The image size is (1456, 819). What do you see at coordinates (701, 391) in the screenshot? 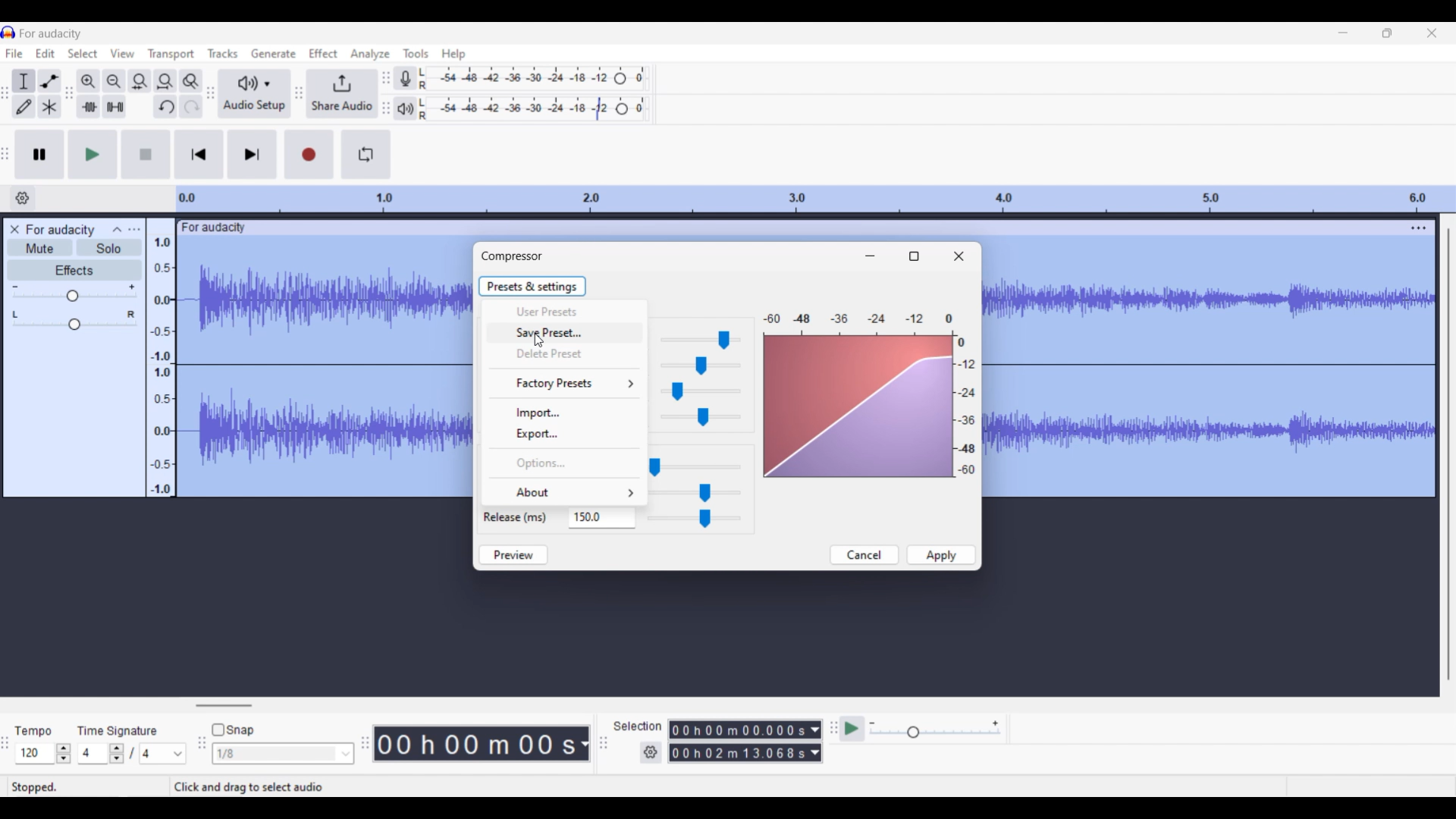
I see `Knee width slider` at bounding box center [701, 391].